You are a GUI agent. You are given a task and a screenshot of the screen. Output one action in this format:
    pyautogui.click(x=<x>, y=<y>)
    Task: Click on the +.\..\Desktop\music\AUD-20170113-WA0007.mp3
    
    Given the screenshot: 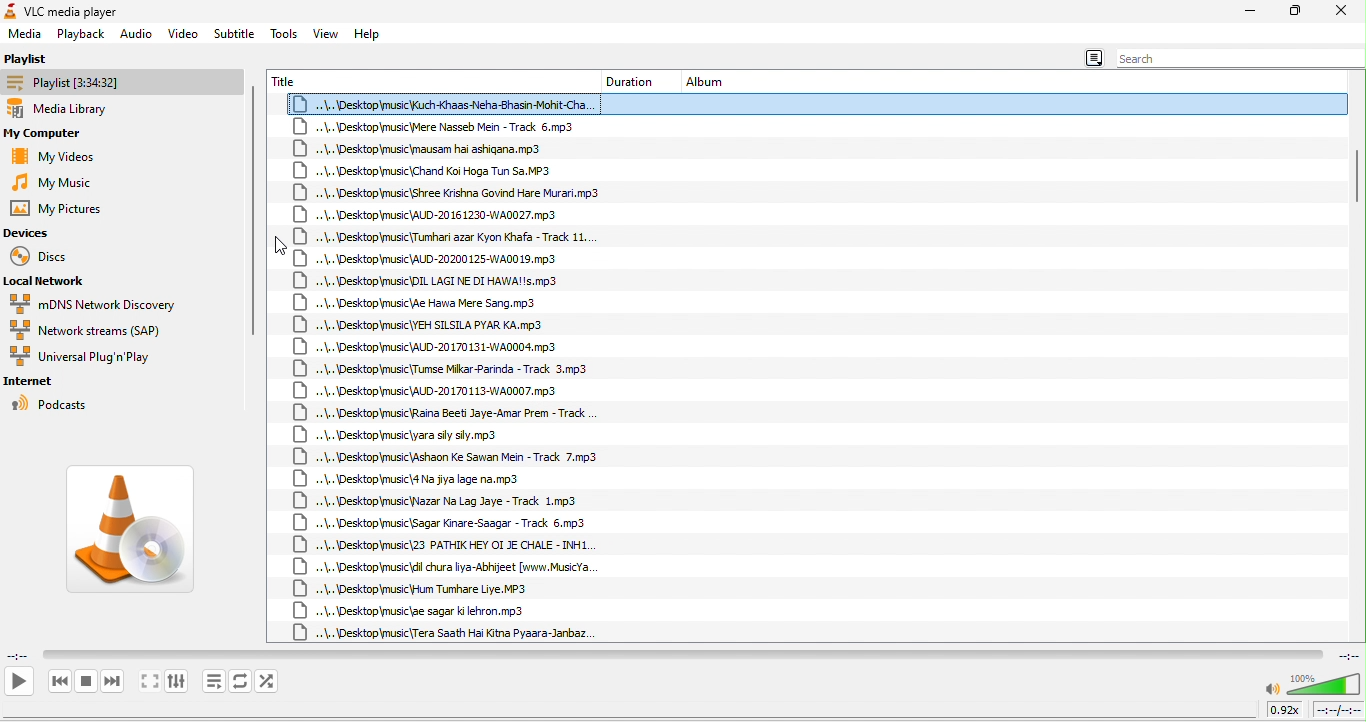 What is the action you would take?
    pyautogui.click(x=433, y=390)
    